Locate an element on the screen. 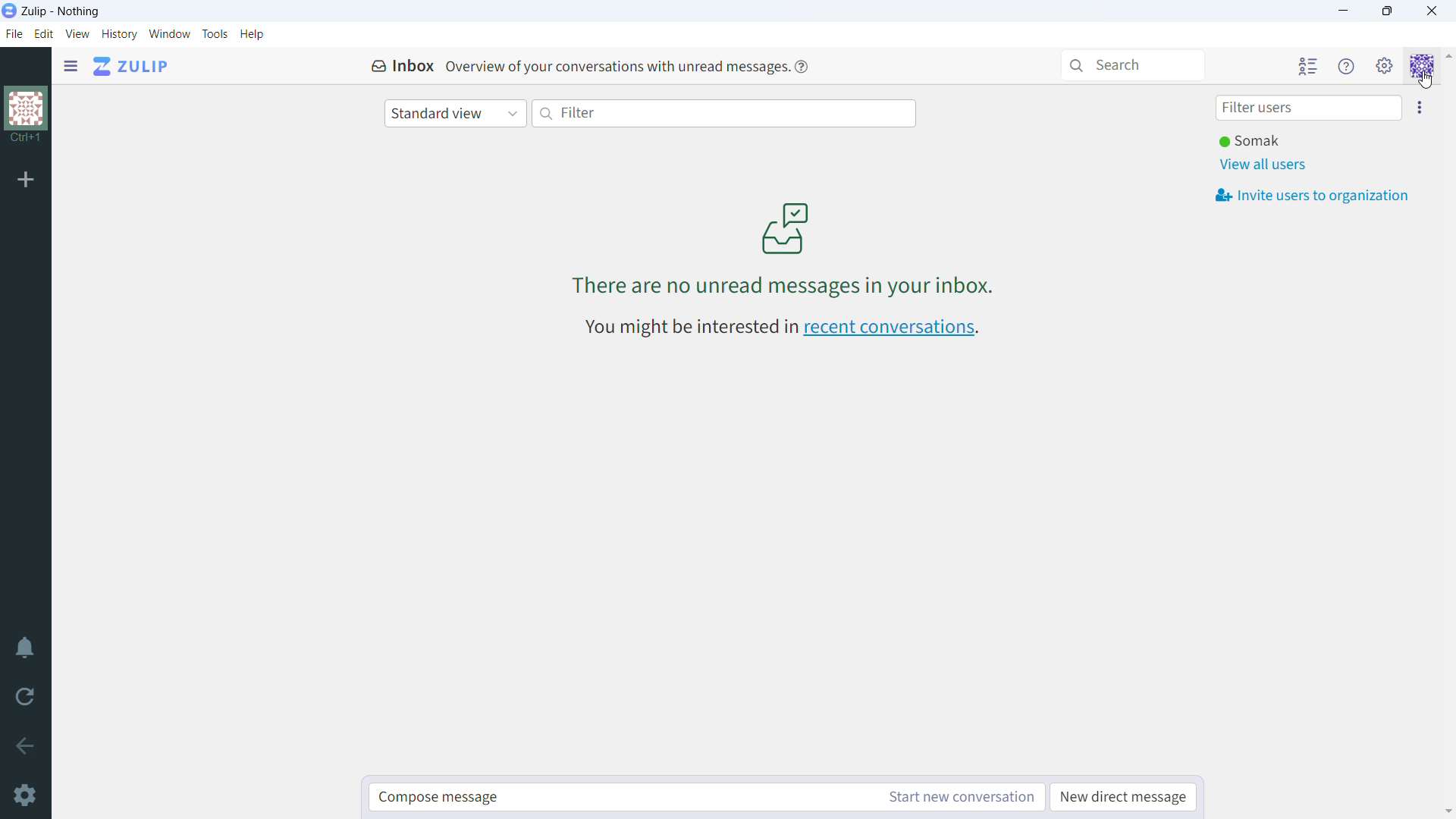 The image size is (1456, 819). help is located at coordinates (252, 34).